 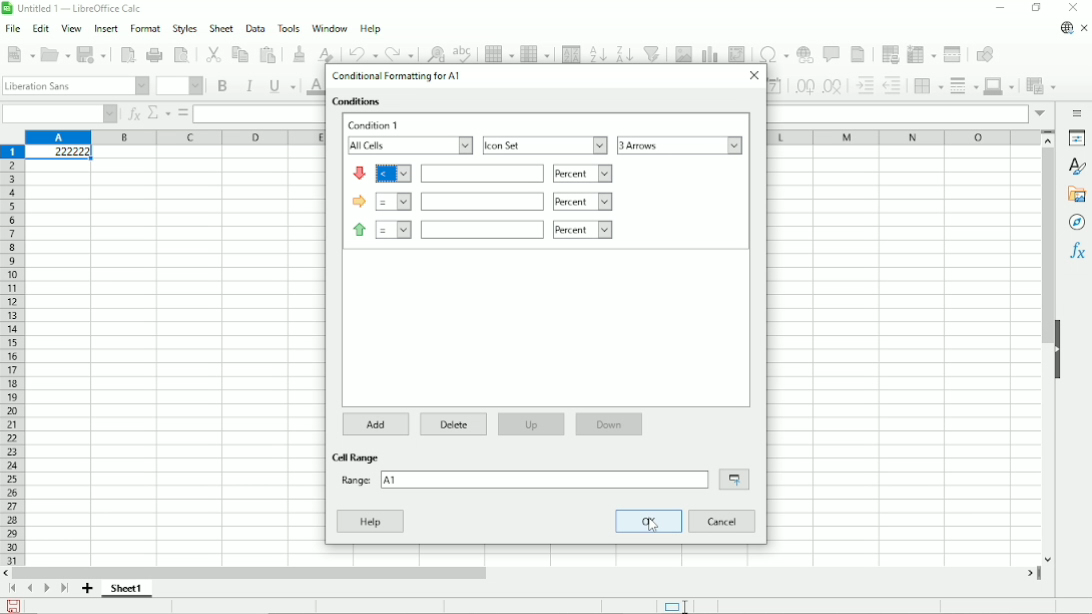 What do you see at coordinates (40, 30) in the screenshot?
I see `Edit` at bounding box center [40, 30].